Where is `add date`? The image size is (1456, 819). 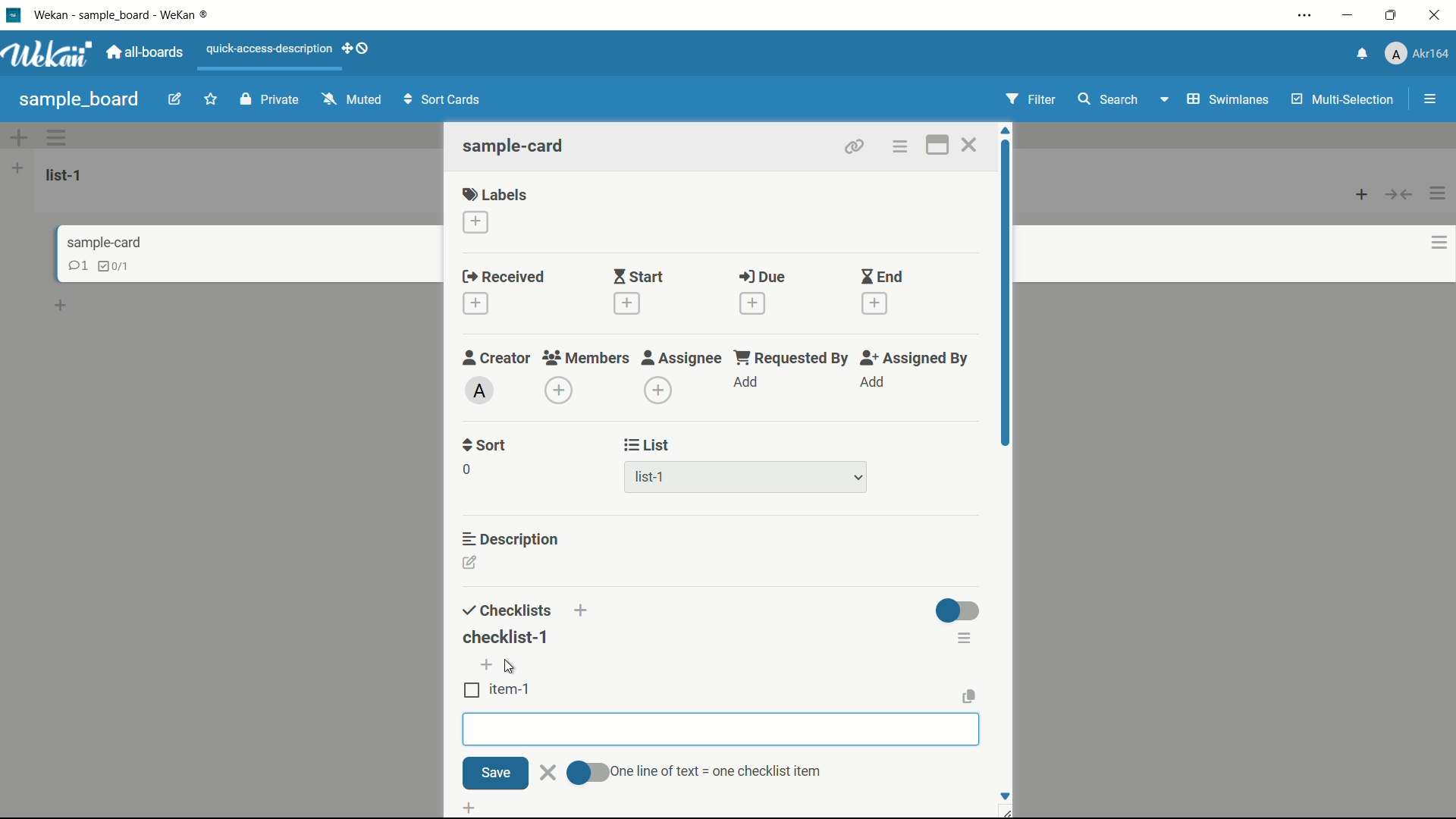 add date is located at coordinates (874, 303).